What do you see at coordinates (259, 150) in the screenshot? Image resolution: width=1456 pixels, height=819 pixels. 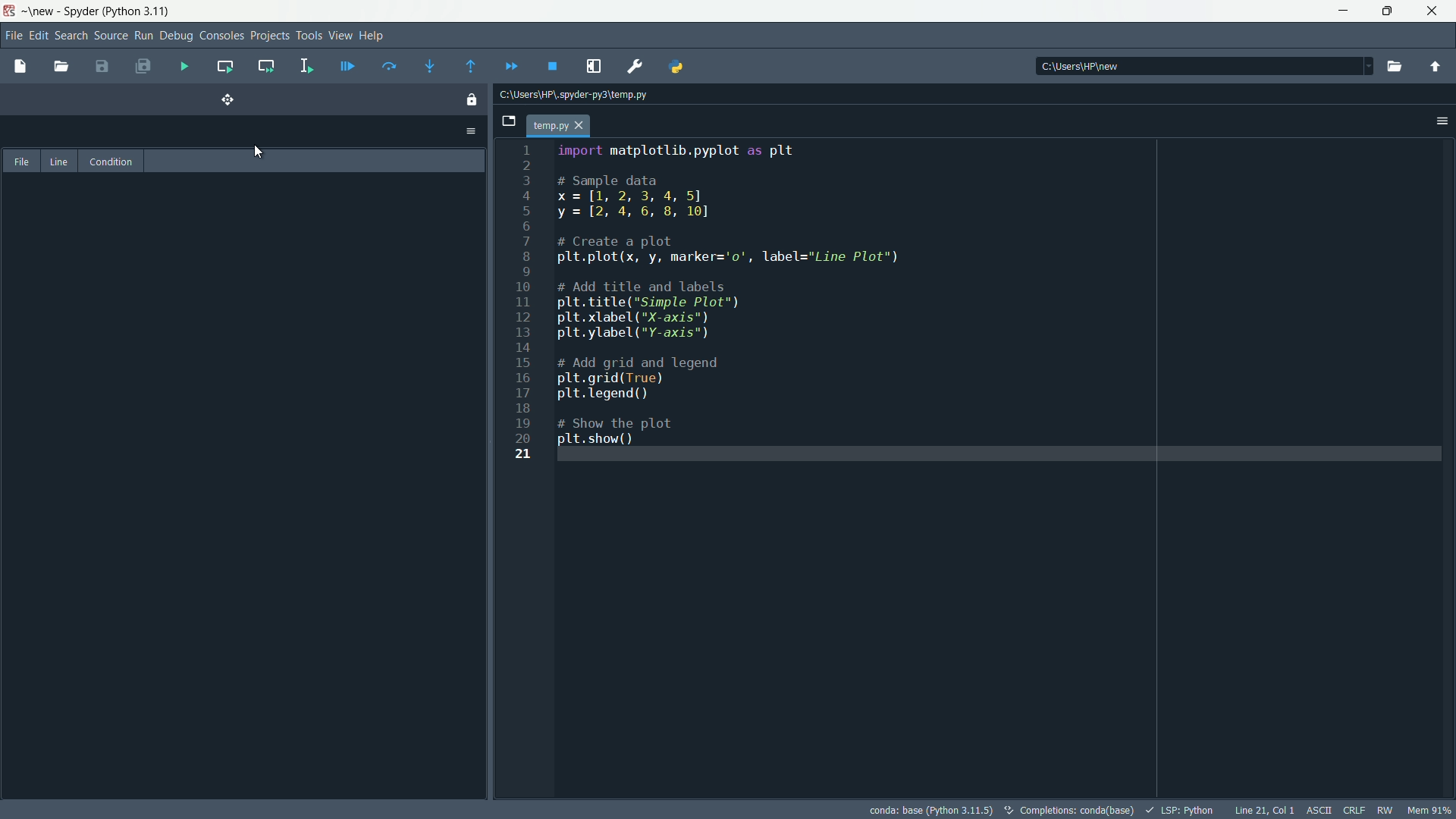 I see `cursor` at bounding box center [259, 150].